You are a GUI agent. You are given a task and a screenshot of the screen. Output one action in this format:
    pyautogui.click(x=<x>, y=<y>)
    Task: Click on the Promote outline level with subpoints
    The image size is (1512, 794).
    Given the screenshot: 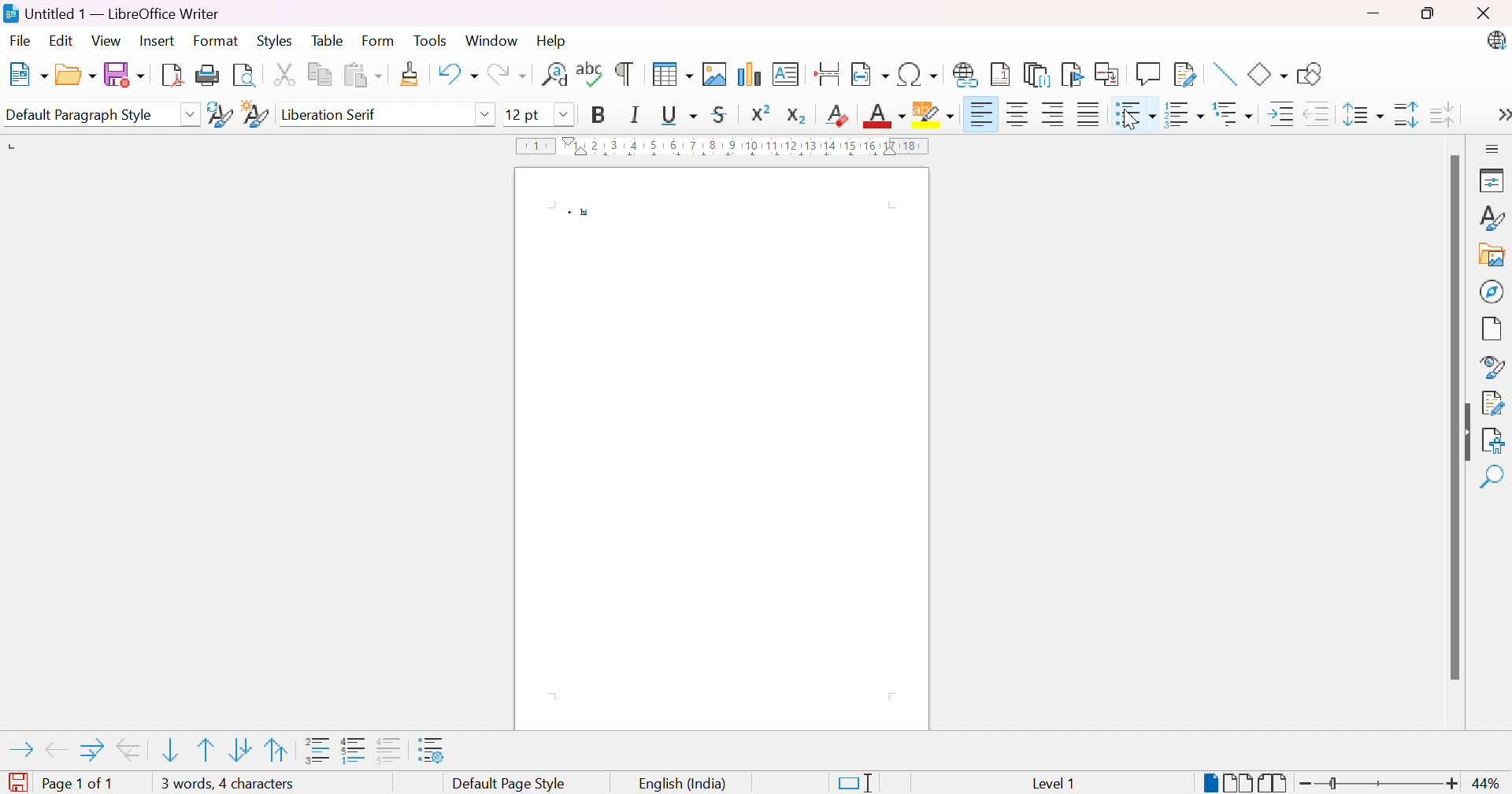 What is the action you would take?
    pyautogui.click(x=128, y=749)
    